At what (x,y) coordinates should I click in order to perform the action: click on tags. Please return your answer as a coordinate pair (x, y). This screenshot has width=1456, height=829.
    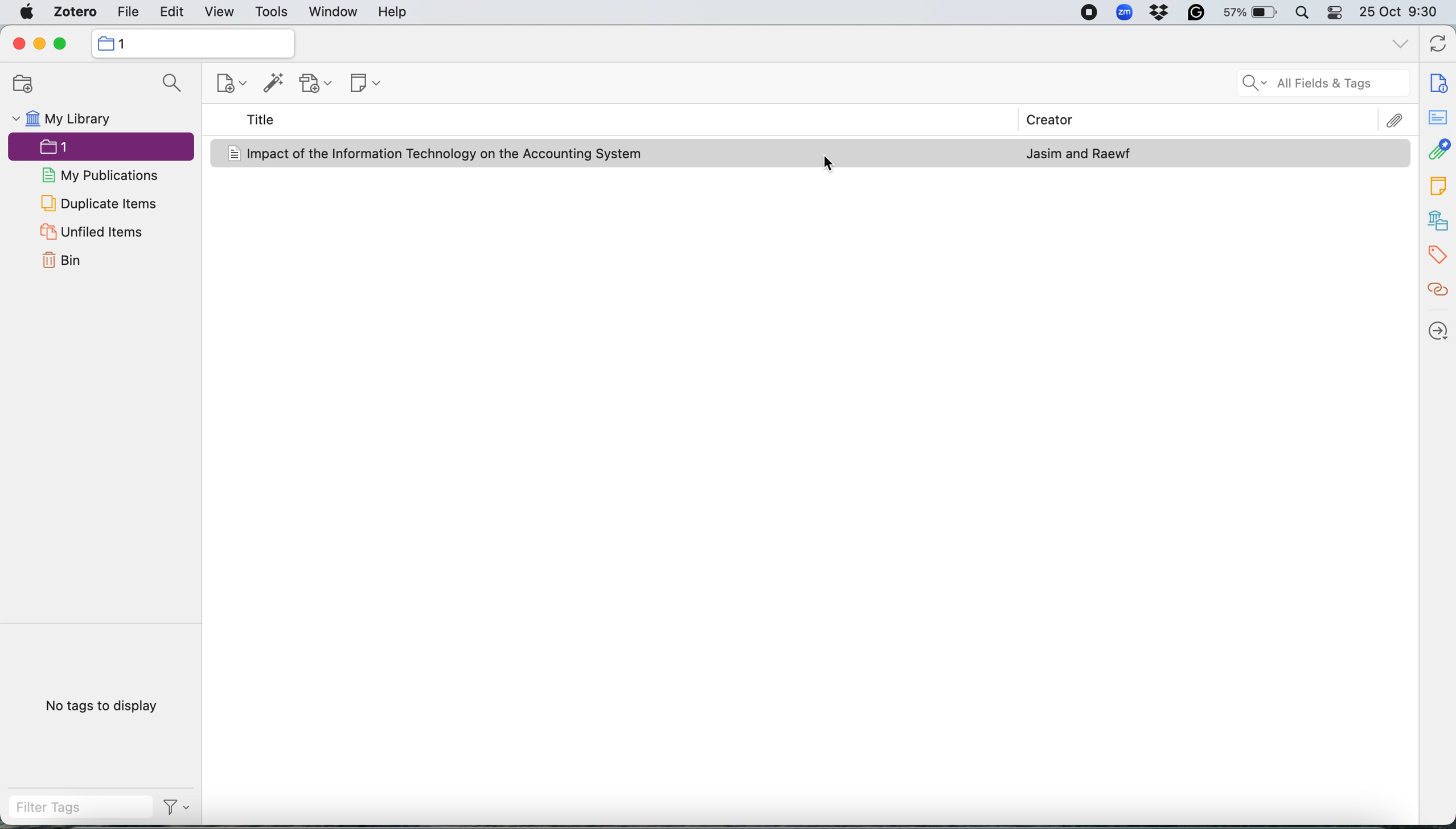
    Looking at the image, I should click on (1437, 255).